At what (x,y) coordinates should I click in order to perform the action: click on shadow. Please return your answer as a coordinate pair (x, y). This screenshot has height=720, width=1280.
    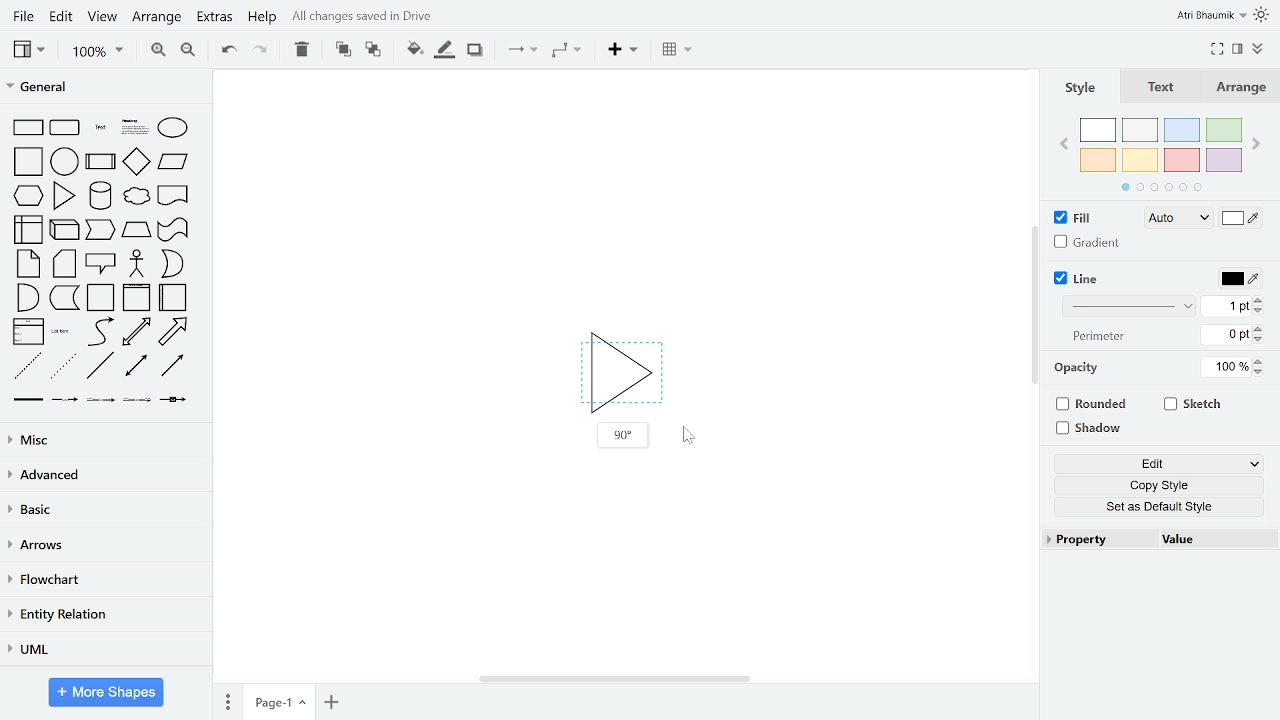
    Looking at the image, I should click on (1091, 427).